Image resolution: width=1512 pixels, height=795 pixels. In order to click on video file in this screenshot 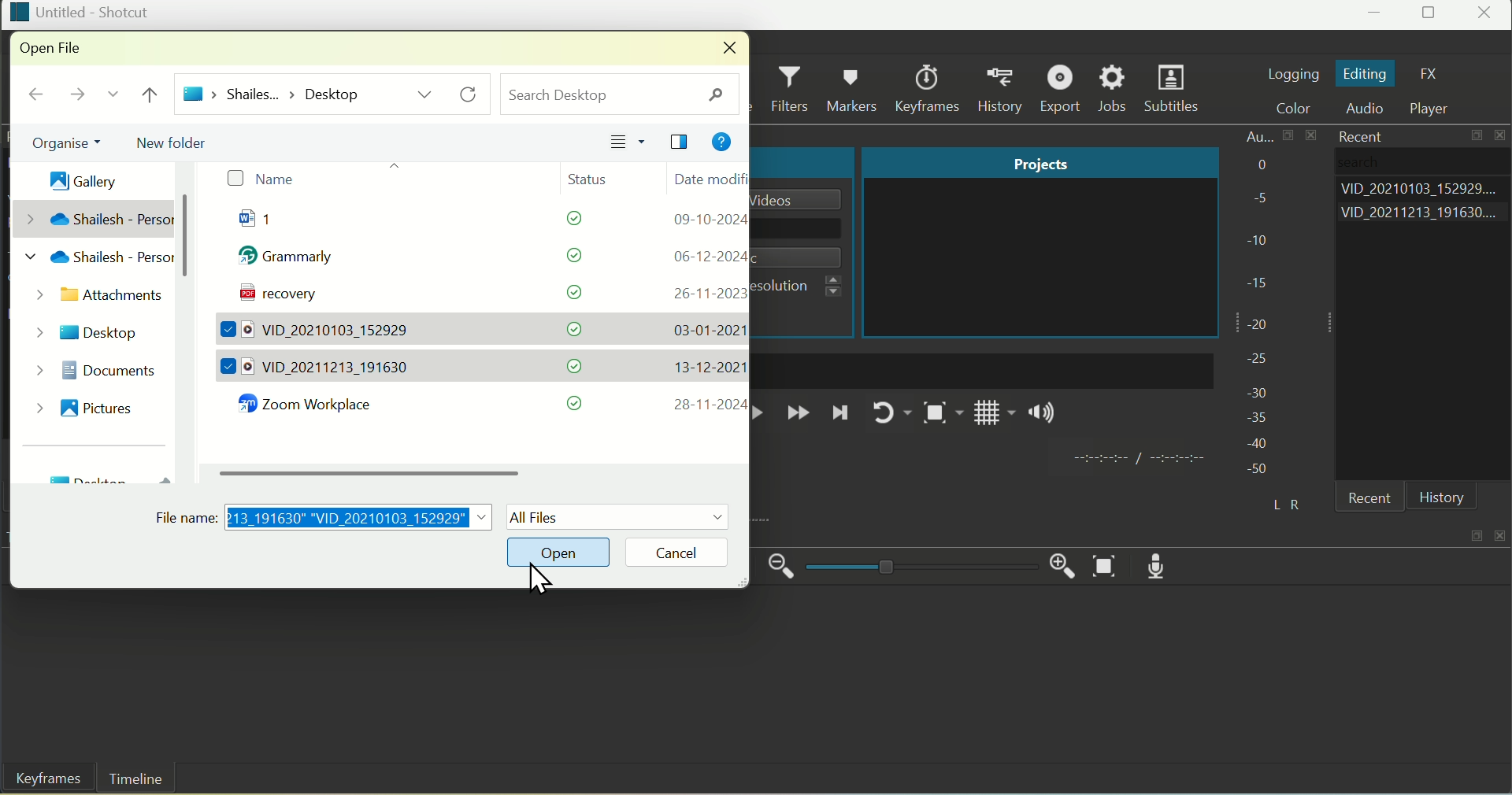, I will do `click(320, 368)`.